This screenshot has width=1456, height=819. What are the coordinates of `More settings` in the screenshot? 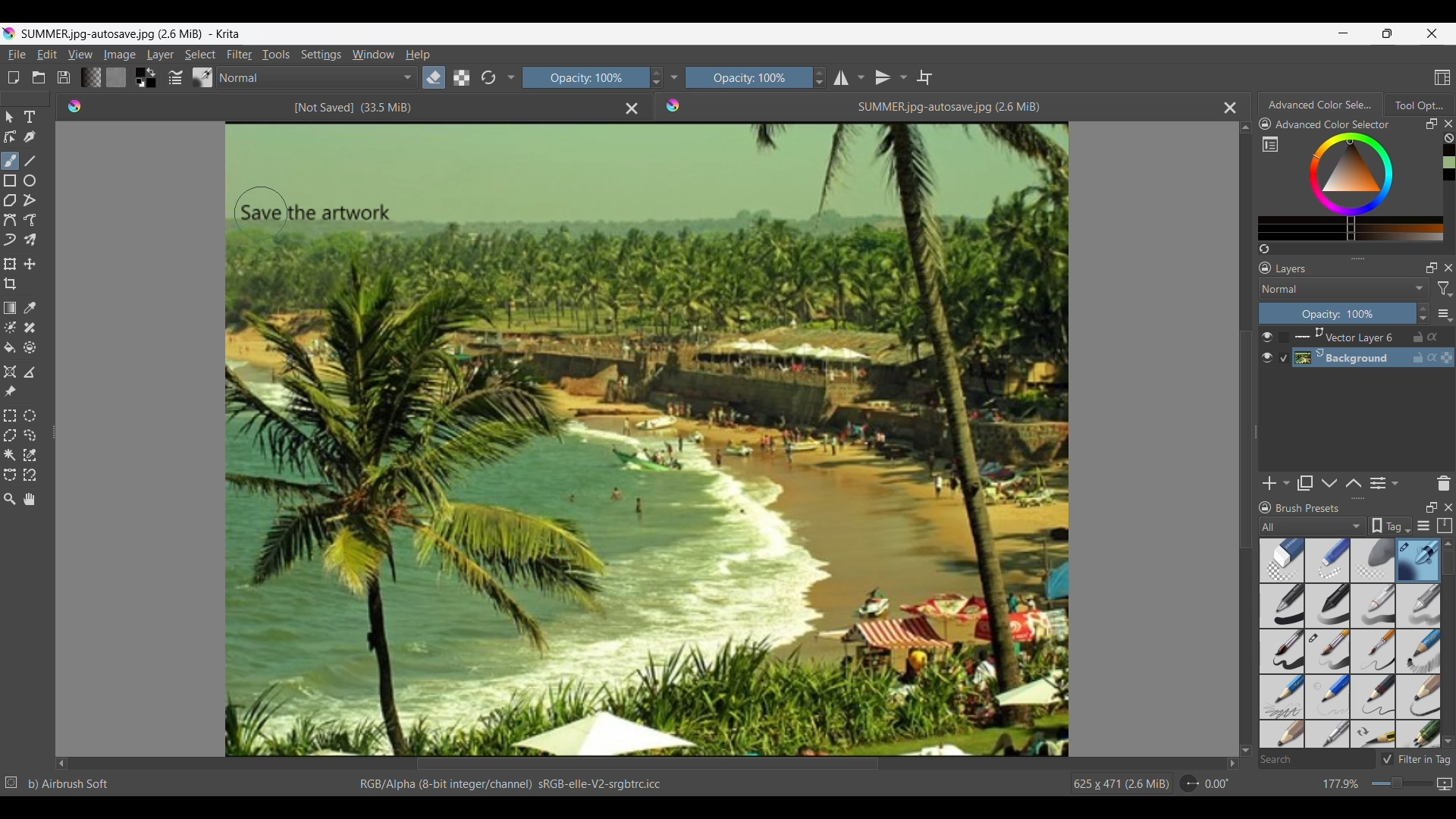 It's located at (1444, 313).